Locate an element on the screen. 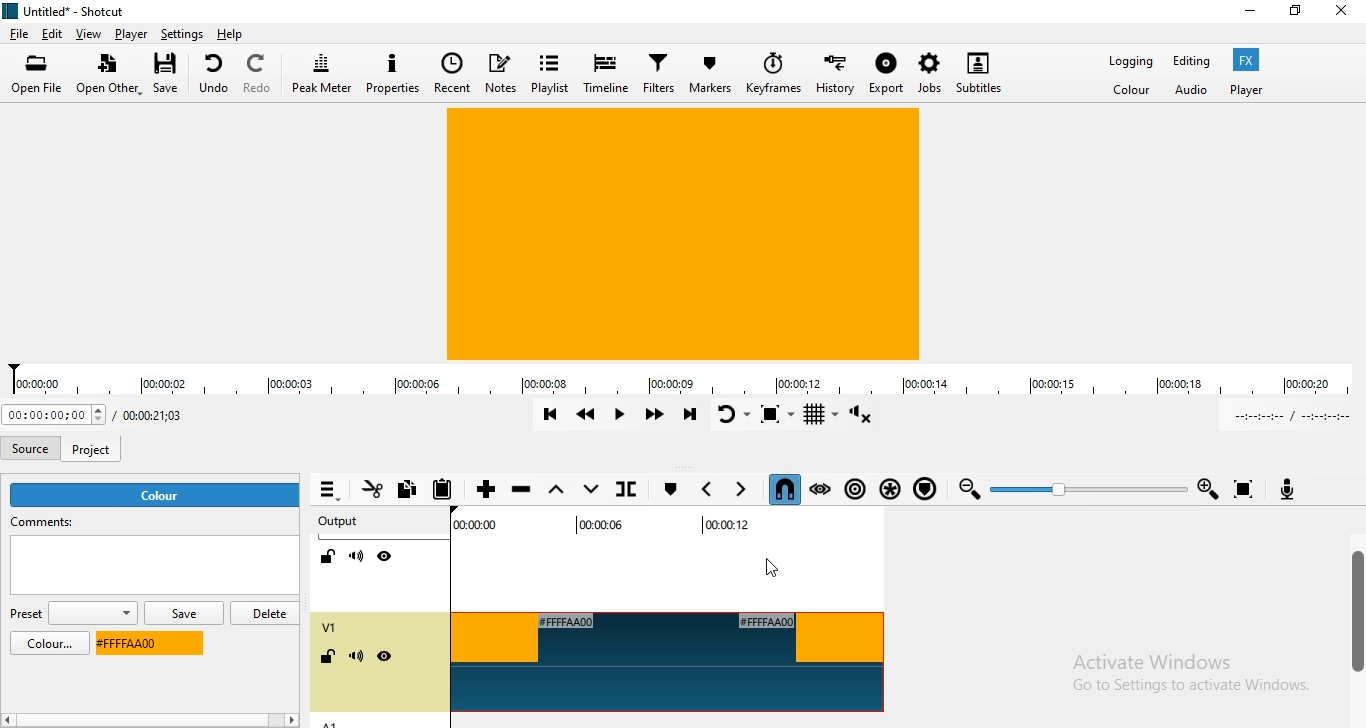 The image size is (1366, 728). Play quickly forward is located at coordinates (656, 416).